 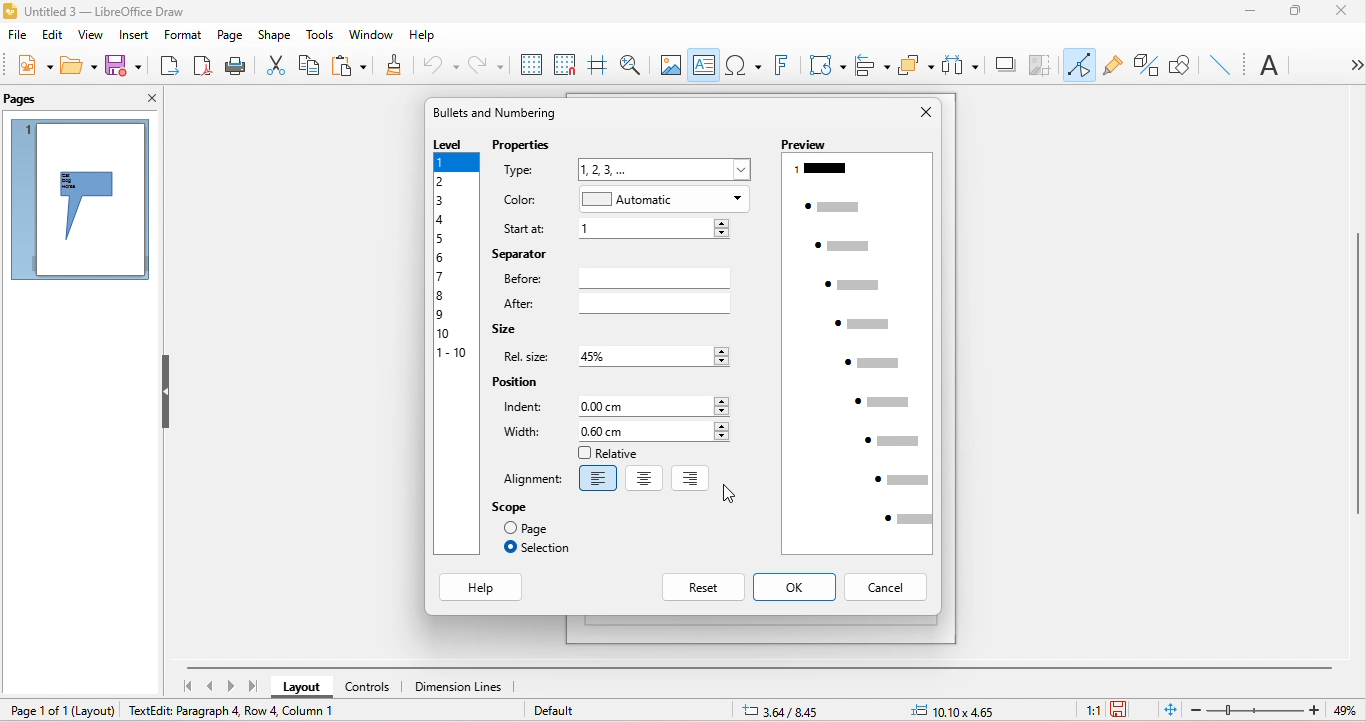 What do you see at coordinates (374, 686) in the screenshot?
I see `controls` at bounding box center [374, 686].